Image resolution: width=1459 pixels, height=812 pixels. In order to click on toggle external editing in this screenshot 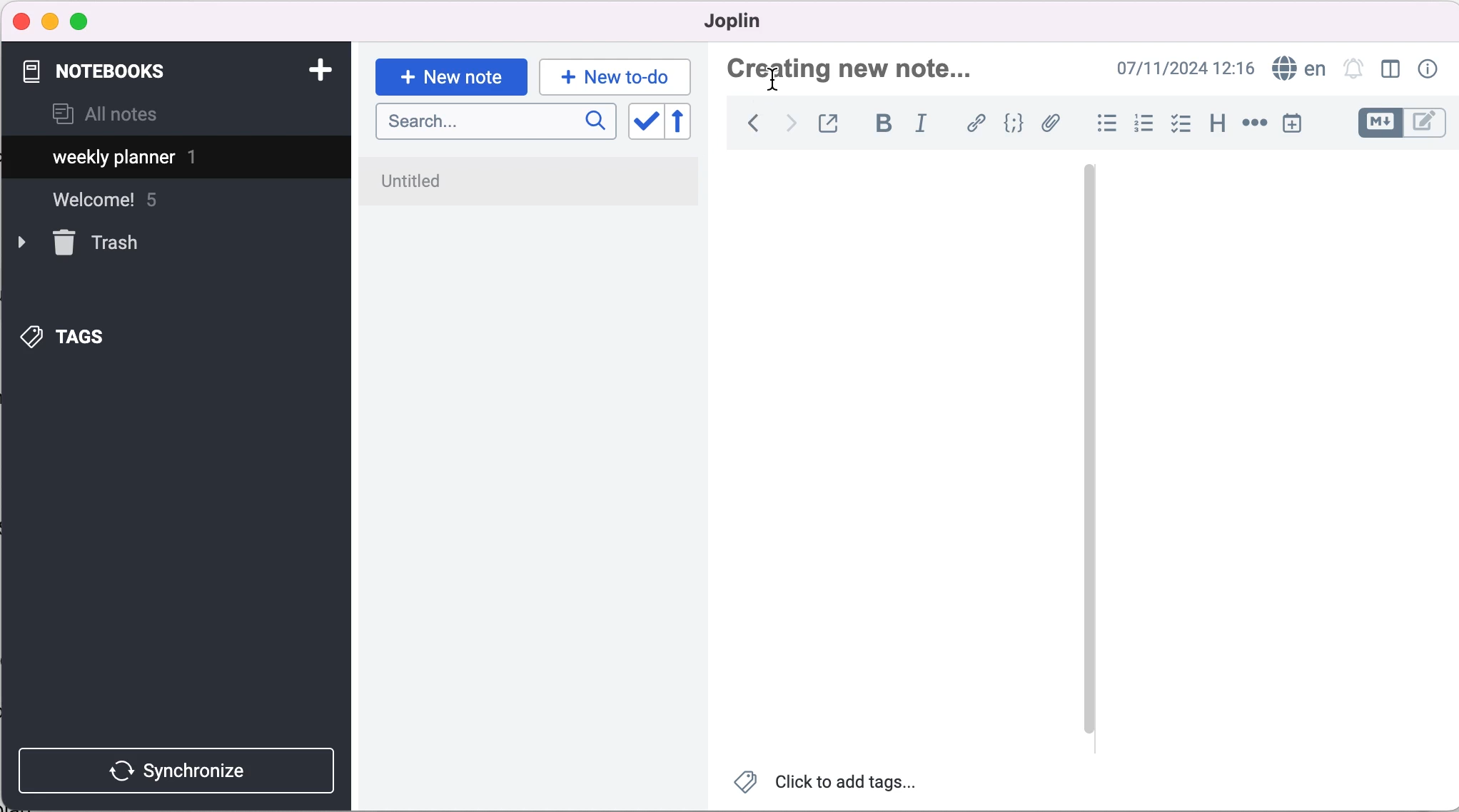, I will do `click(830, 125)`.